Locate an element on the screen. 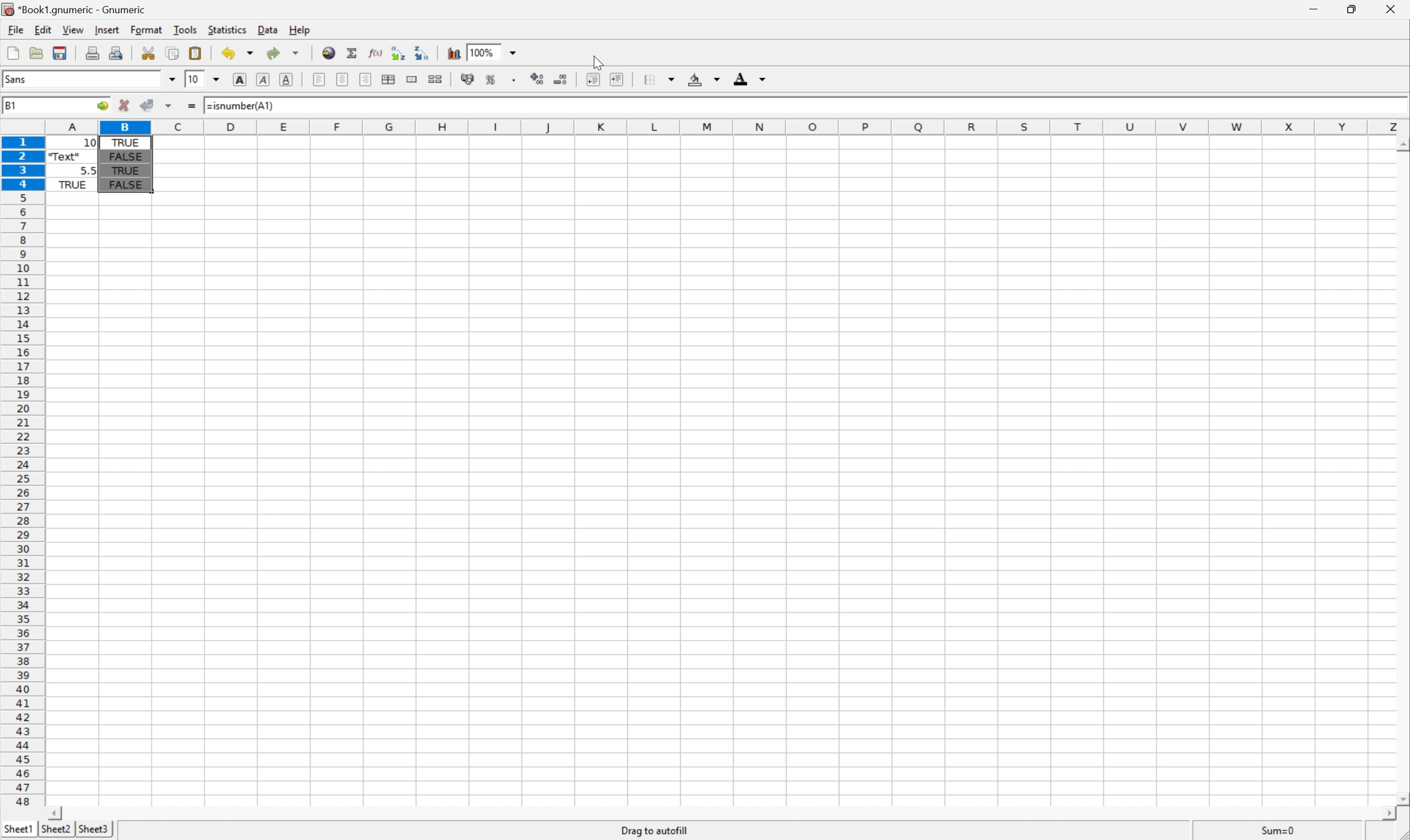 This screenshot has height=840, width=1410. Sheet3 is located at coordinates (93, 829).